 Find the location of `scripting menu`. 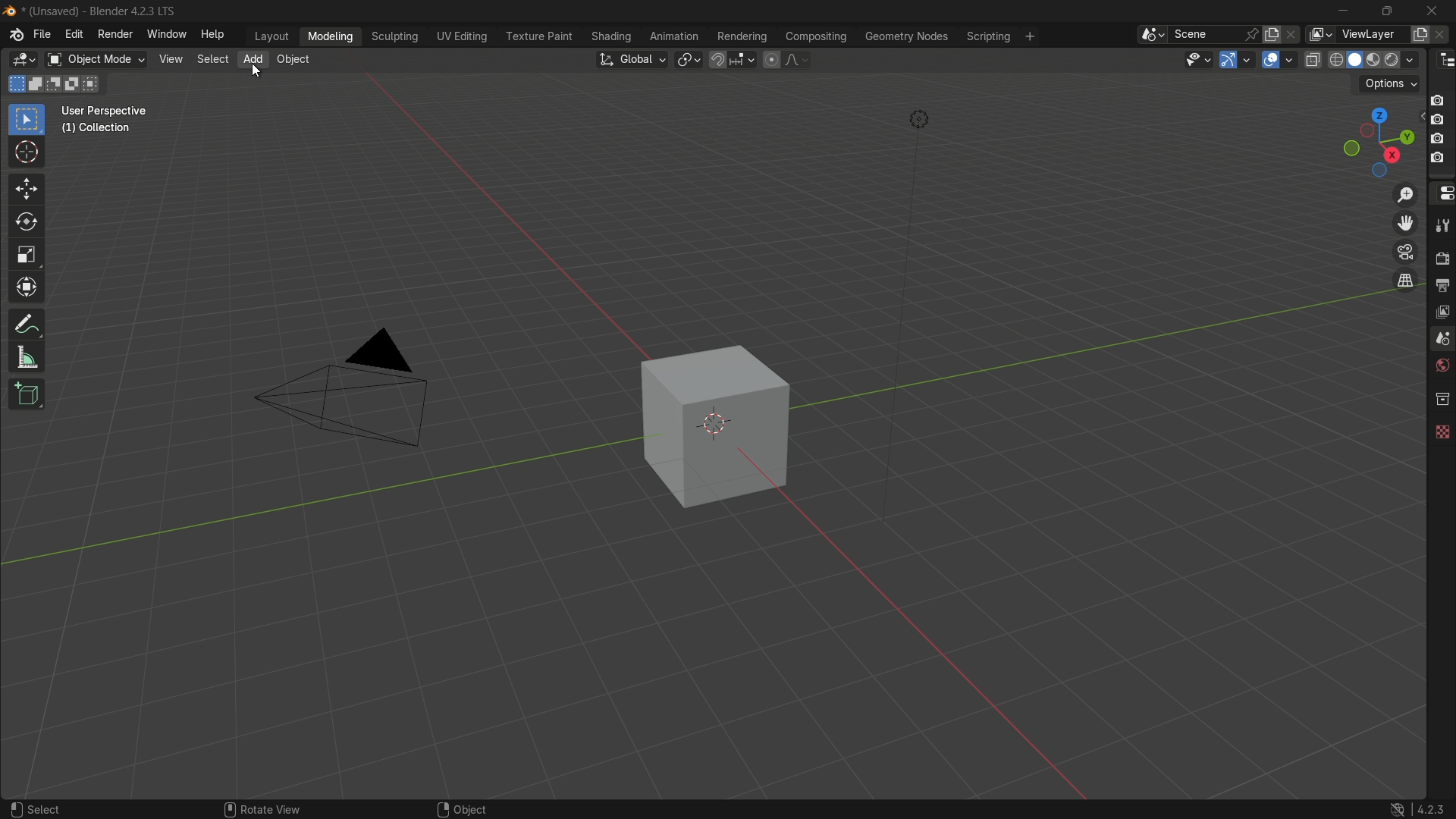

scripting menu is located at coordinates (987, 36).